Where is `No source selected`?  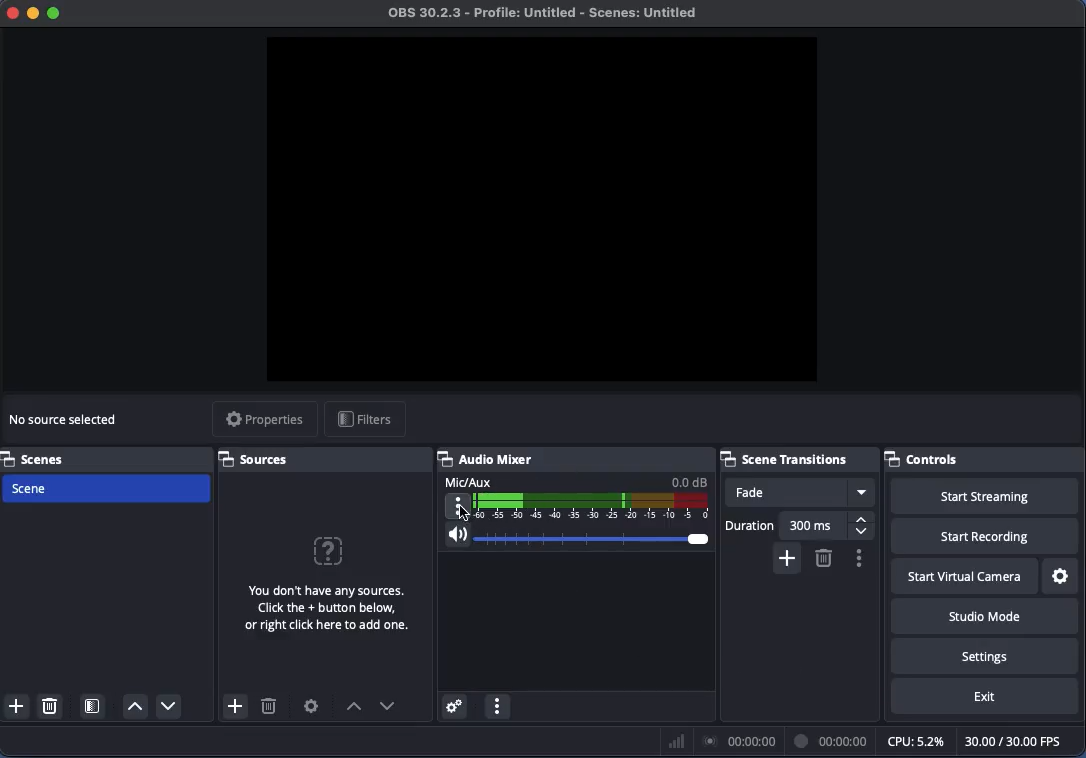 No source selected is located at coordinates (66, 421).